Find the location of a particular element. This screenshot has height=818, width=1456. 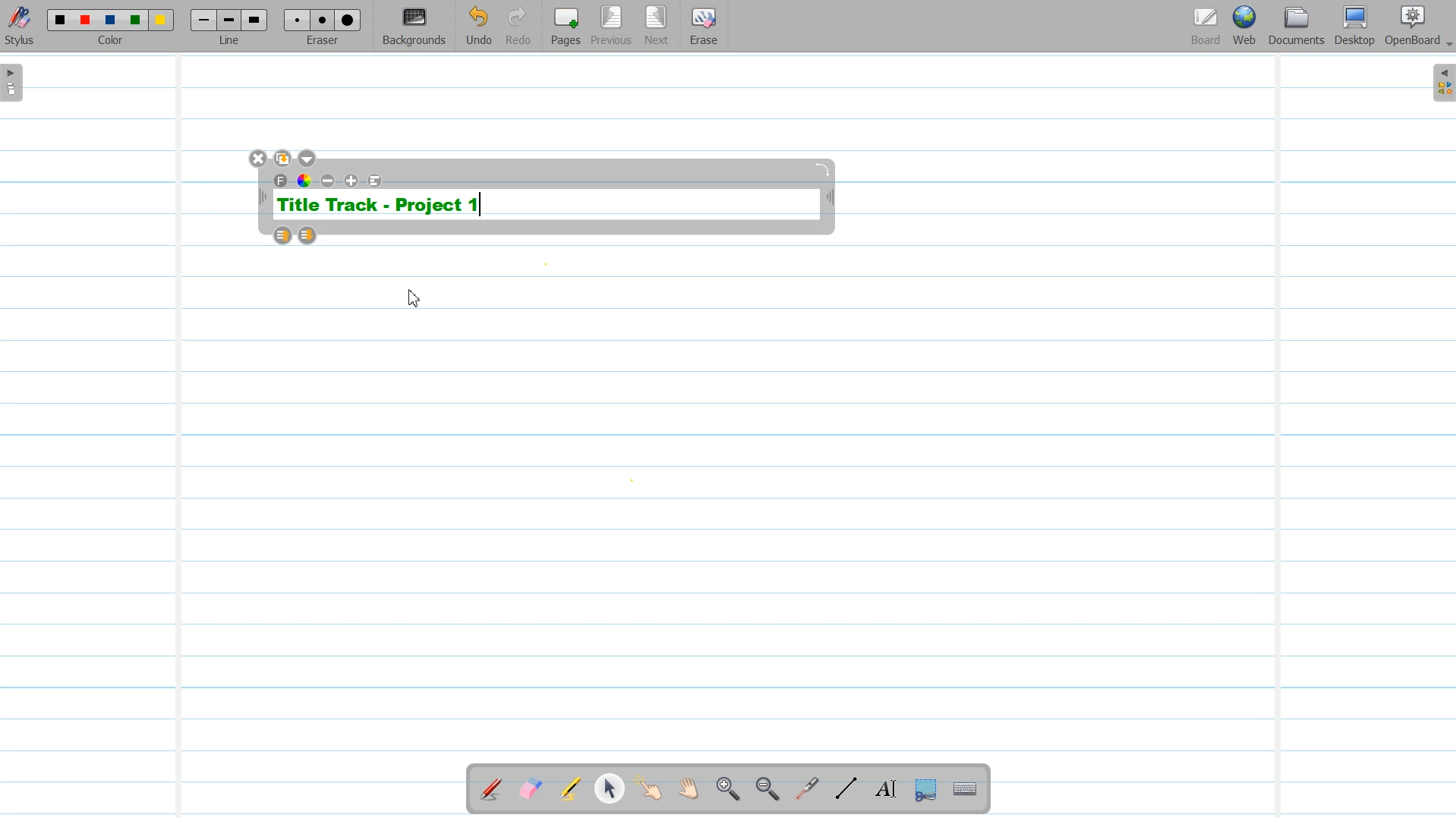

Next is located at coordinates (657, 27).